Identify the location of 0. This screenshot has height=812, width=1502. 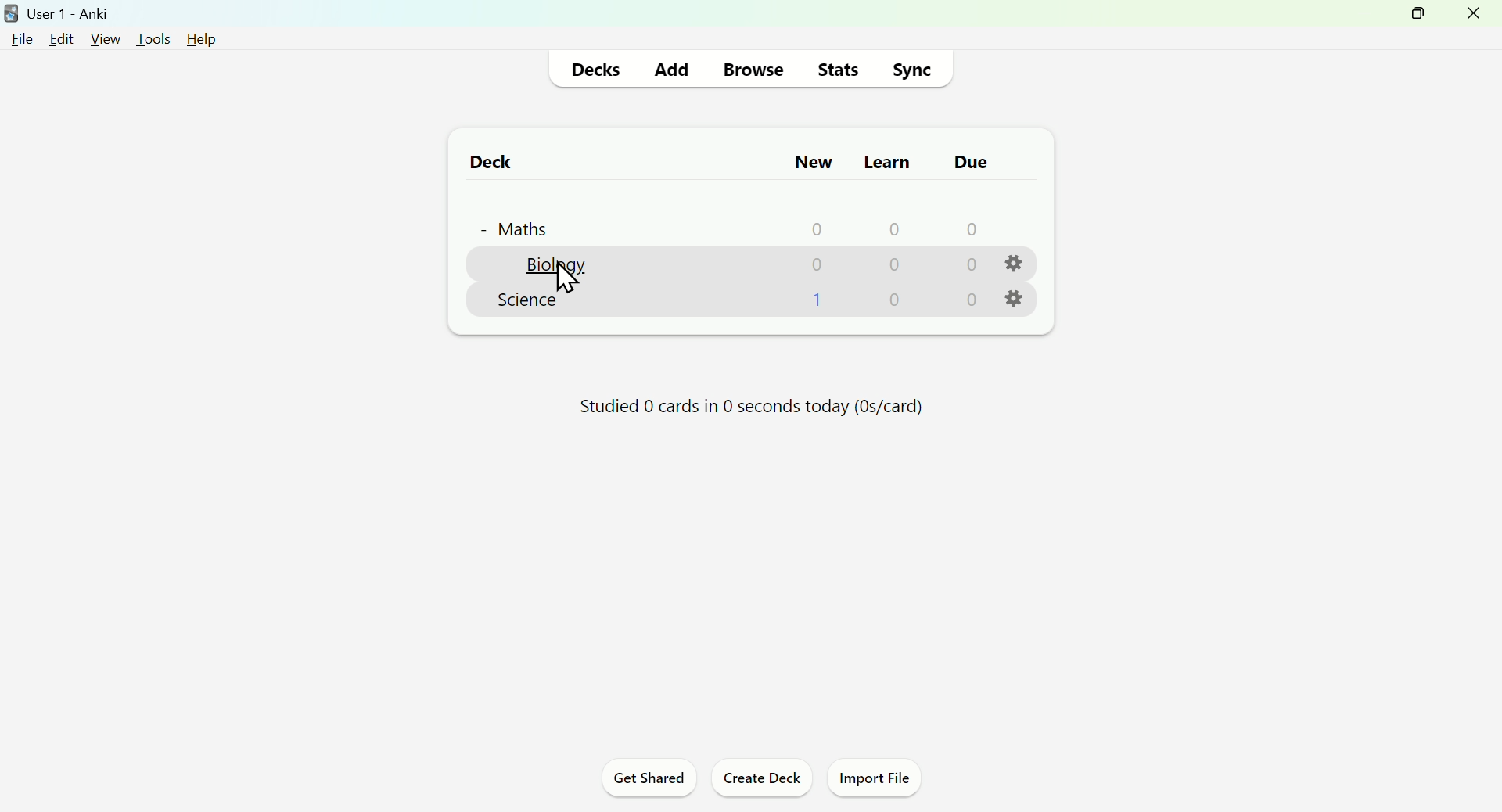
(815, 267).